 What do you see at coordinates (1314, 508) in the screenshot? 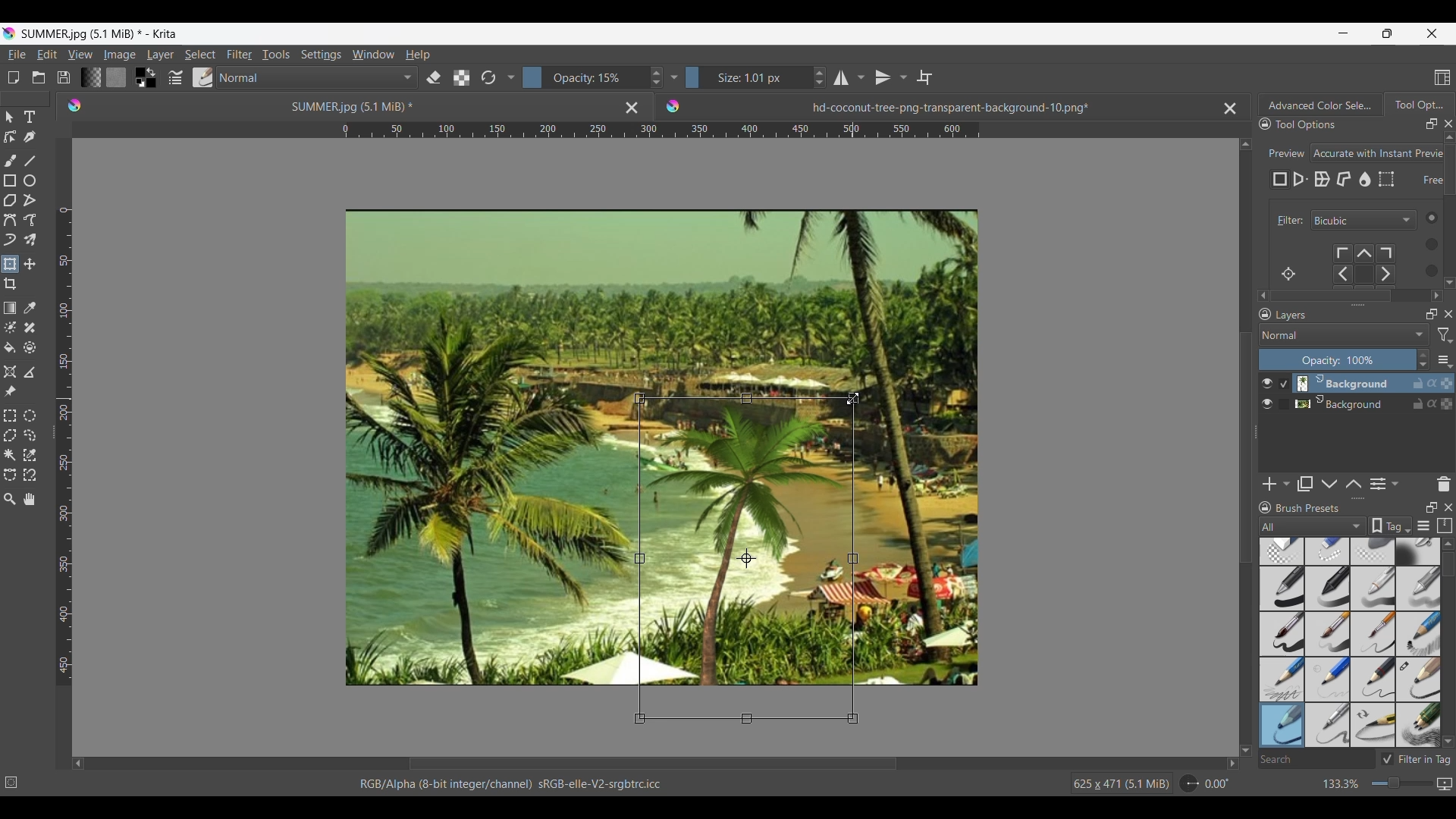
I see `Brush Presets` at bounding box center [1314, 508].